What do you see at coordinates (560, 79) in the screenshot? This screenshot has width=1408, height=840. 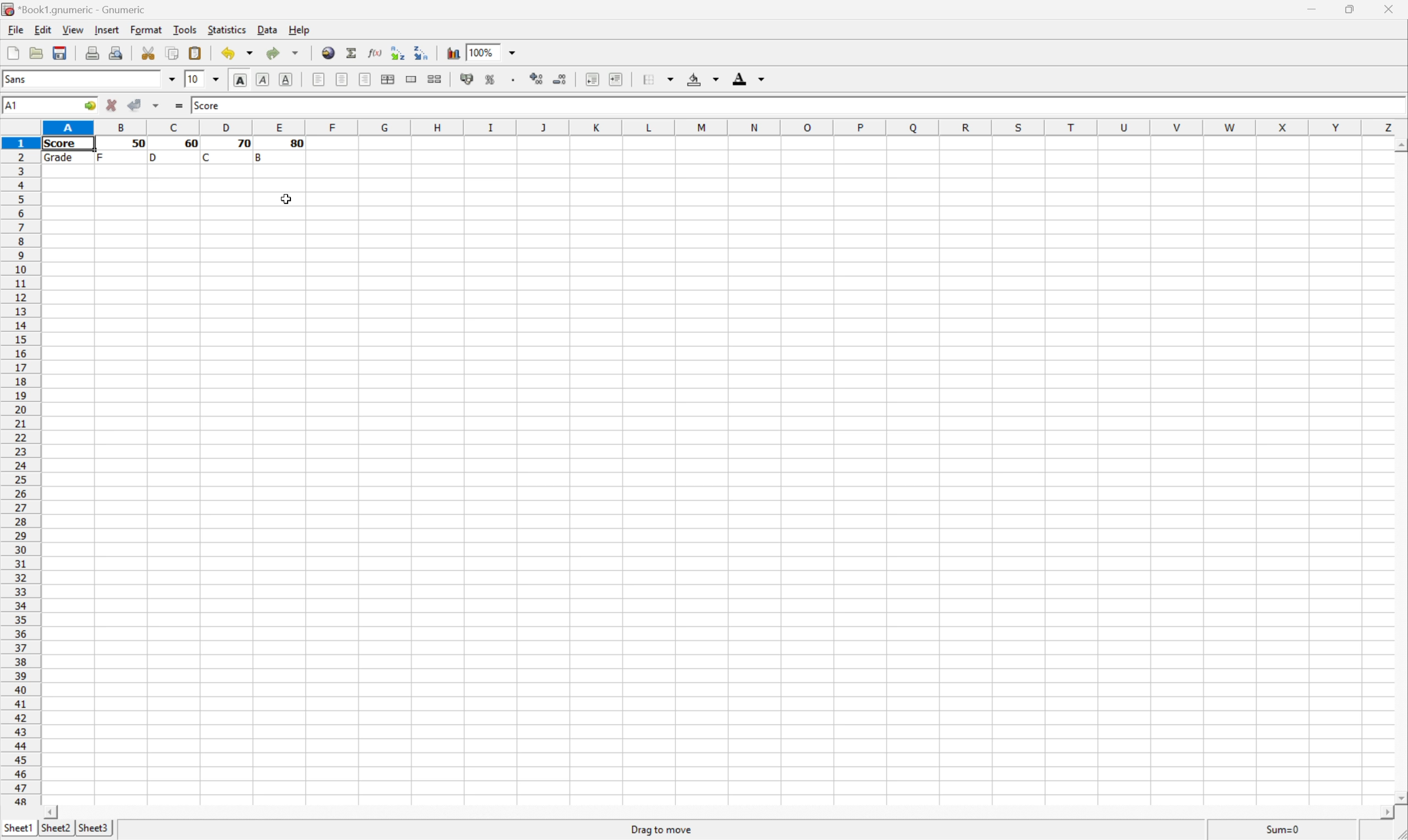 I see `Decrease the number of decimals displayed` at bounding box center [560, 79].